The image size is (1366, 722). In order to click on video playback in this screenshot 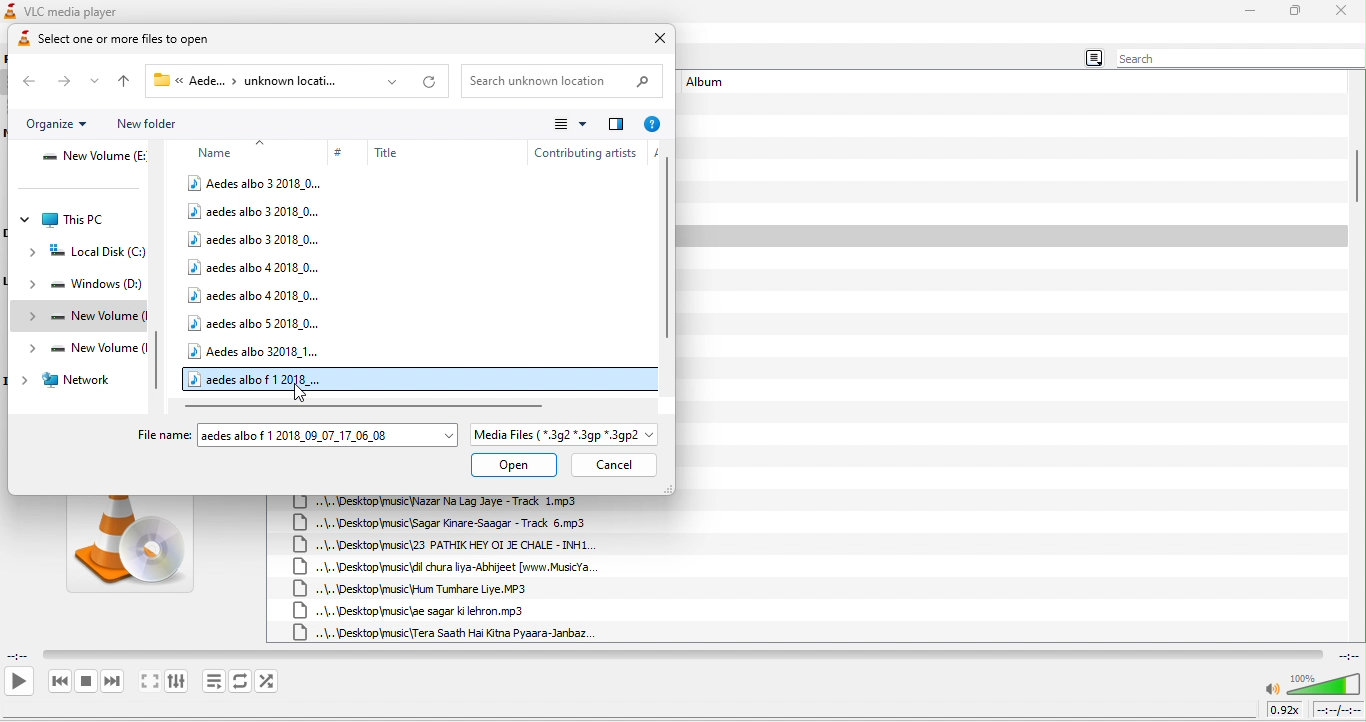, I will do `click(682, 654)`.